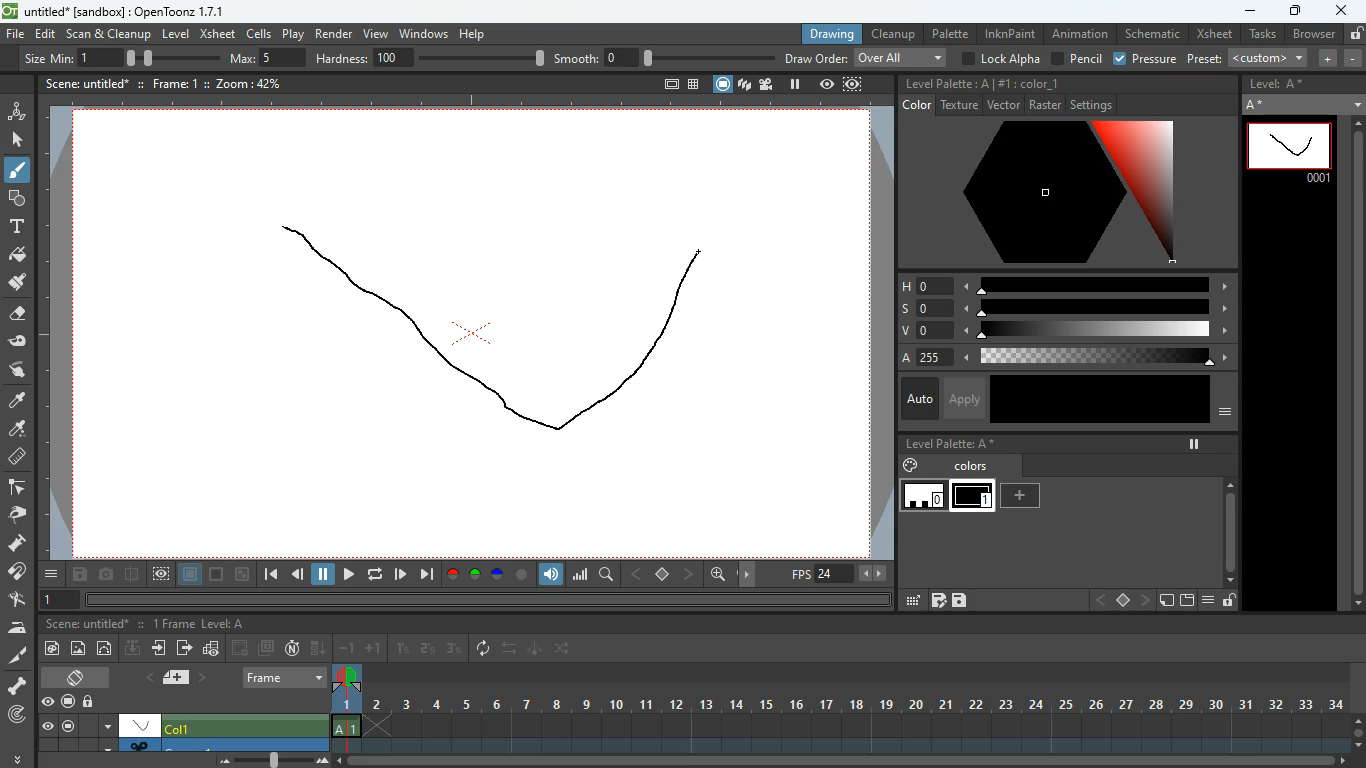 This screenshot has height=768, width=1366. Describe the element at coordinates (1060, 358) in the screenshot. I see `a` at that location.